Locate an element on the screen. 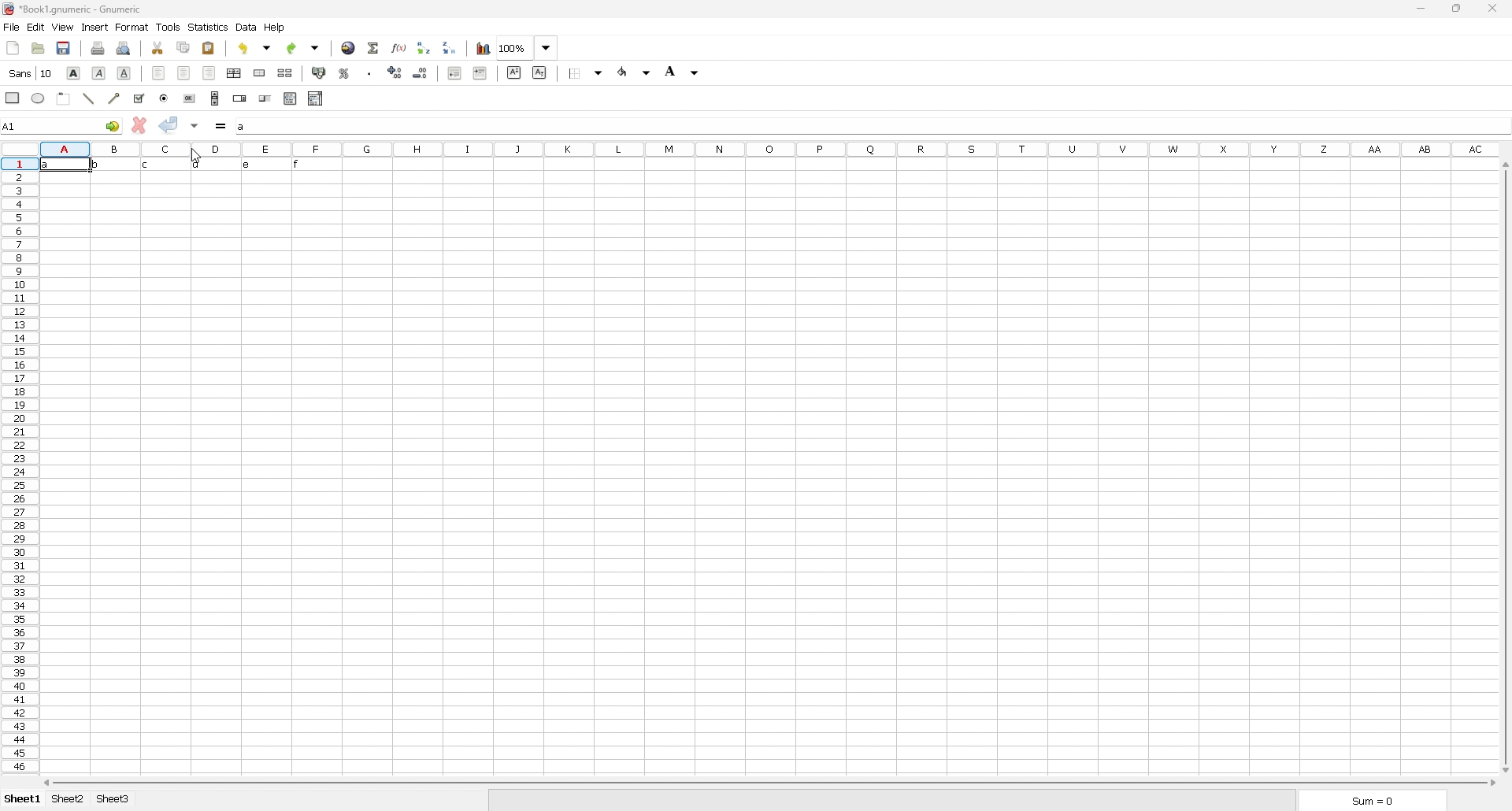 The image size is (1512, 811). spin button is located at coordinates (239, 98).